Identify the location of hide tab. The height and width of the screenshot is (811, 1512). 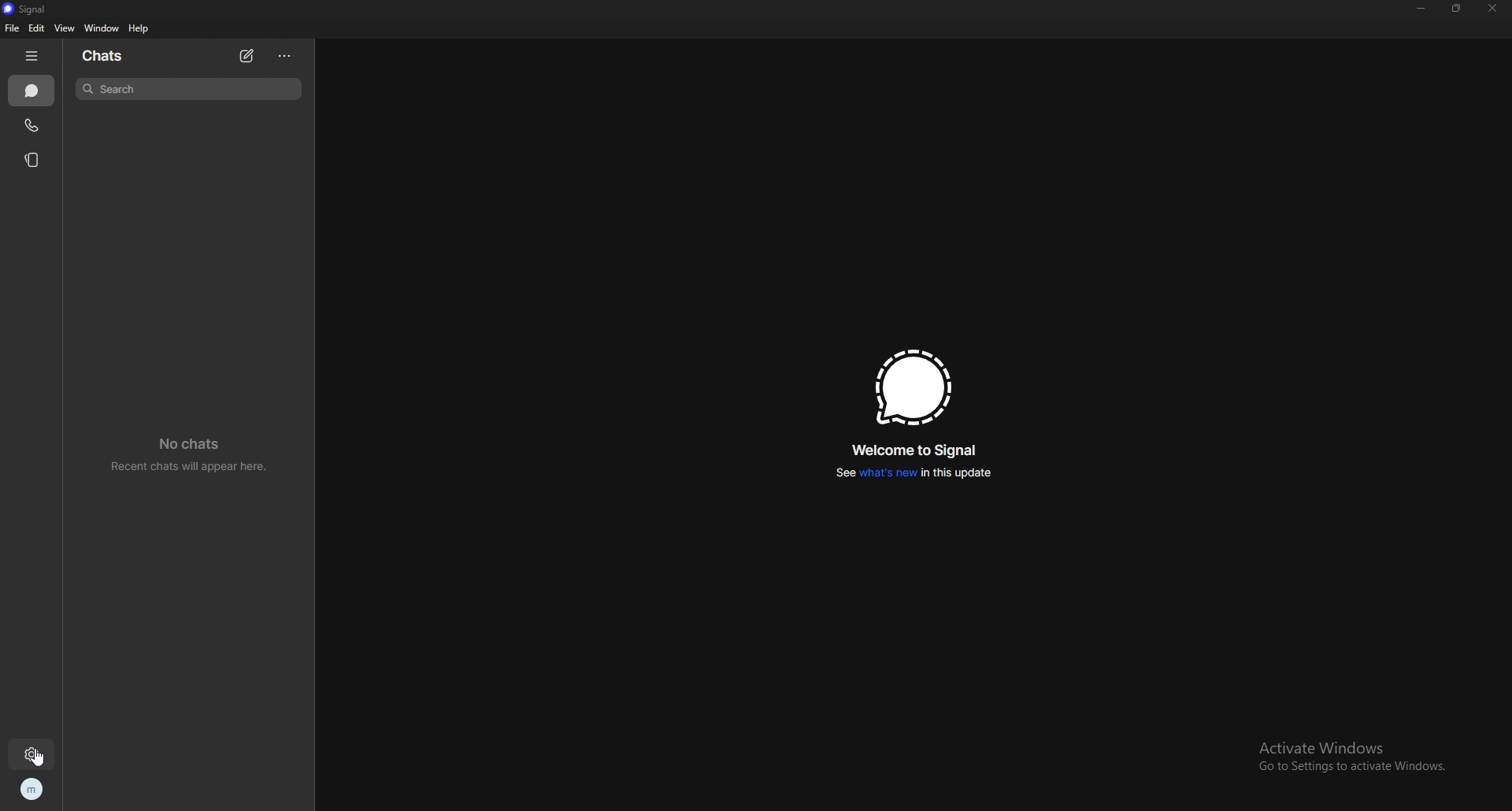
(34, 55).